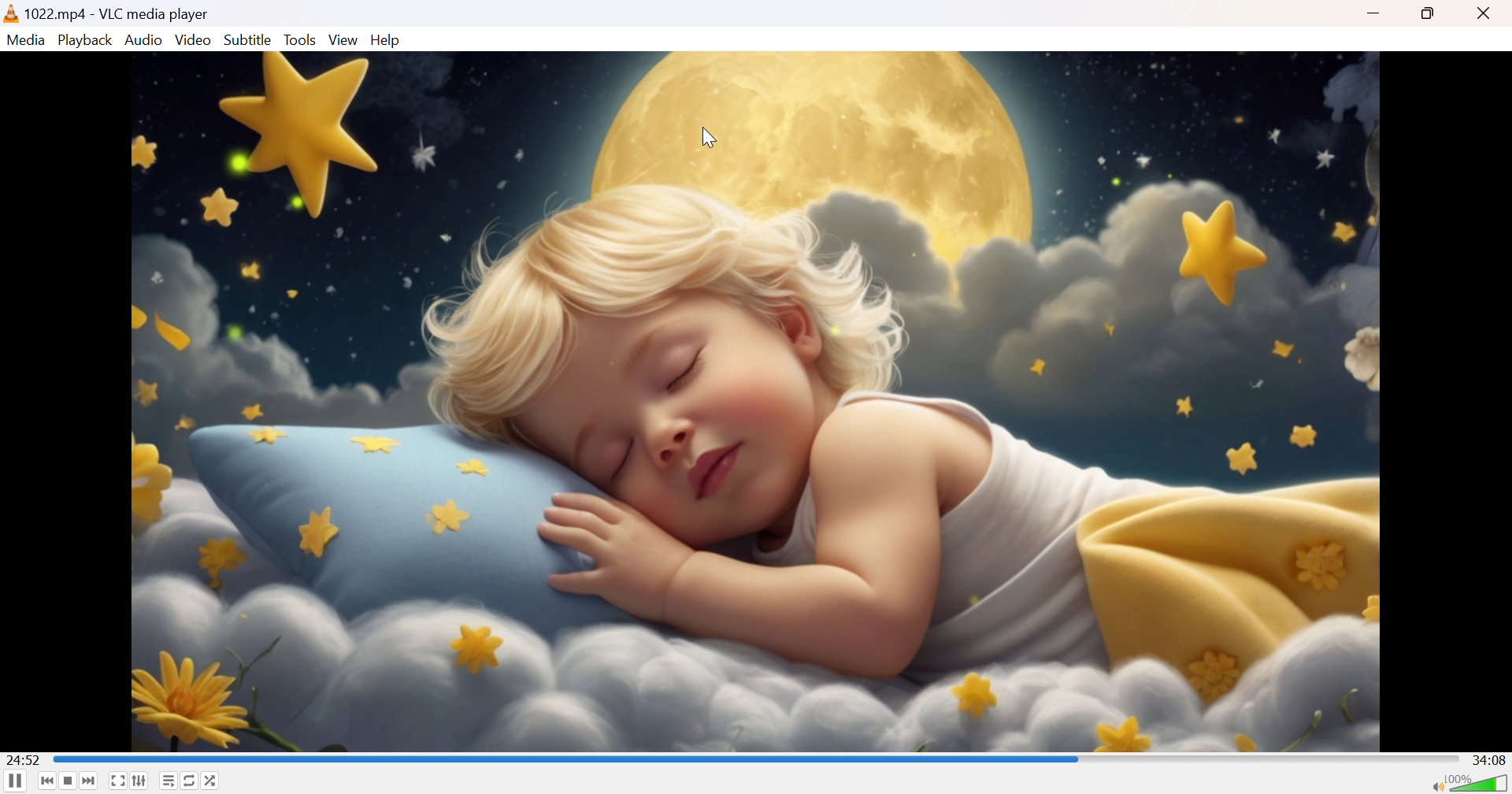 The image size is (1512, 794). I want to click on Cursor, so click(708, 139).